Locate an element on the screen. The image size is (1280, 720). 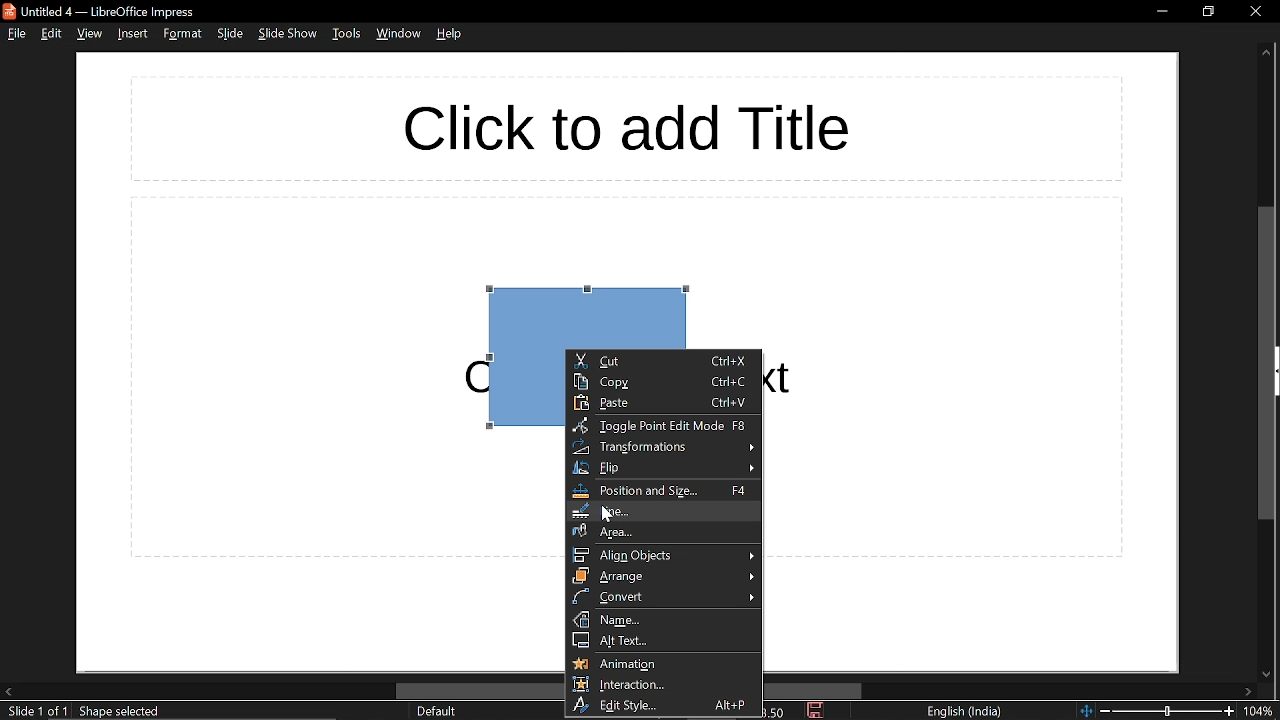
position and size is located at coordinates (662, 491).